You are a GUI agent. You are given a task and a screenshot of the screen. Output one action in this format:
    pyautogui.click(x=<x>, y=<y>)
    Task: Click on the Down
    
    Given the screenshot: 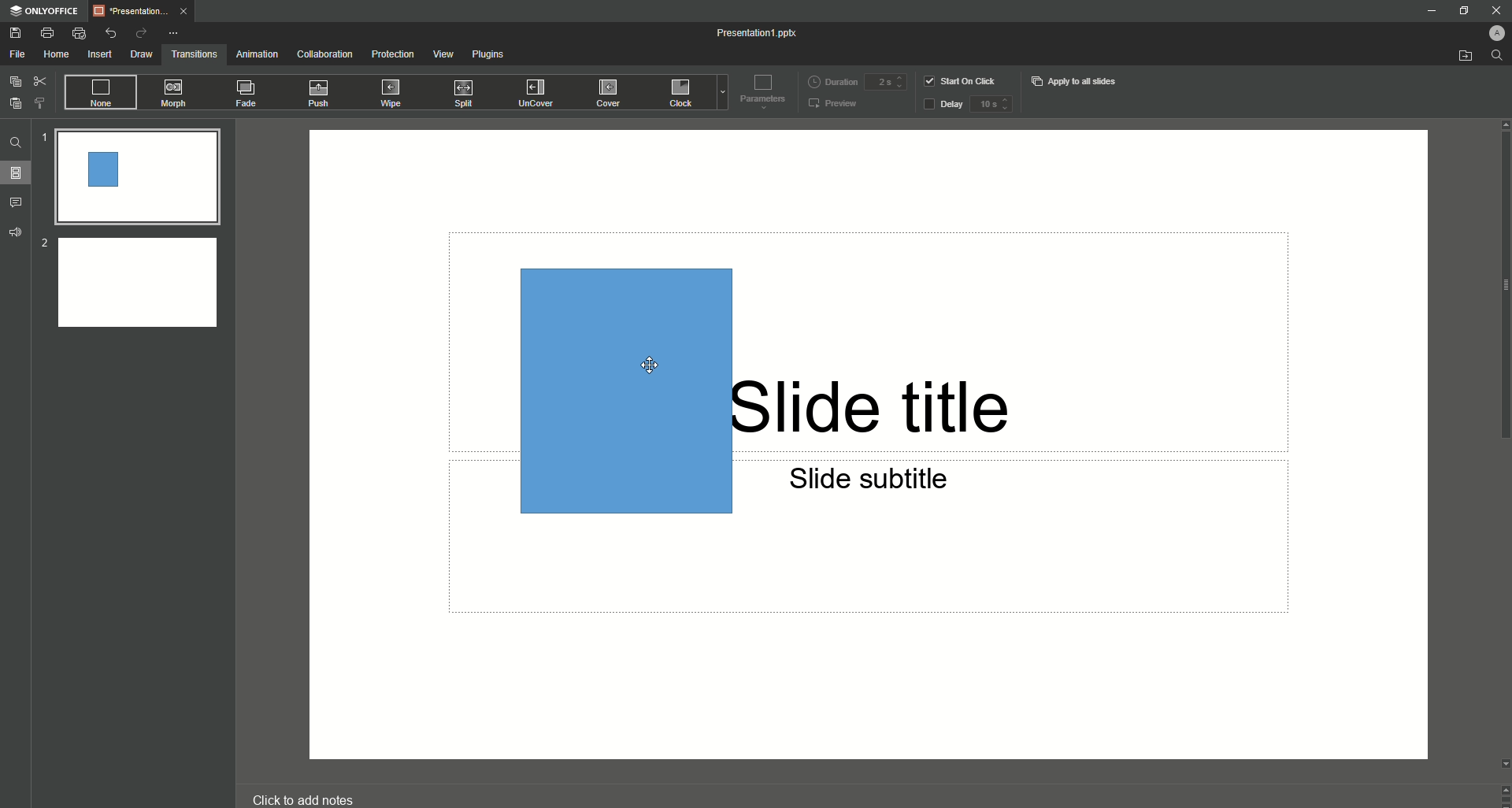 What is the action you would take?
    pyautogui.click(x=1503, y=762)
    